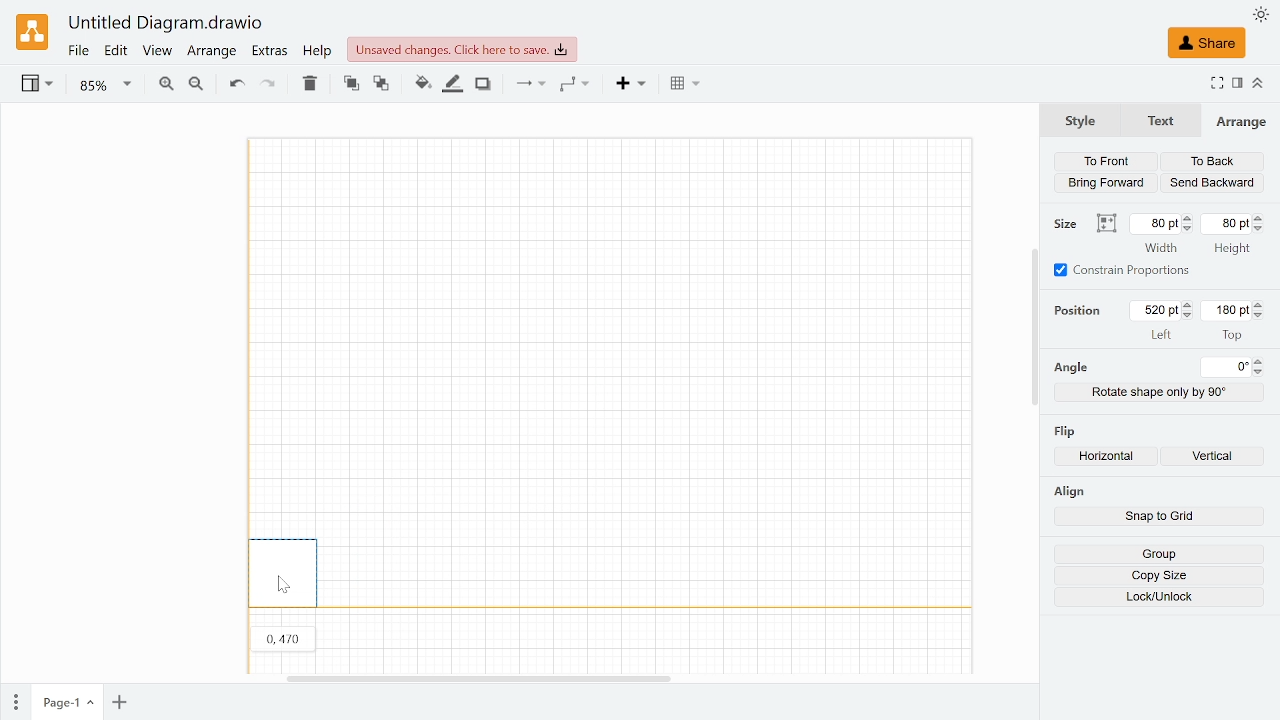 The image size is (1280, 720). I want to click on Group, so click(1158, 554).